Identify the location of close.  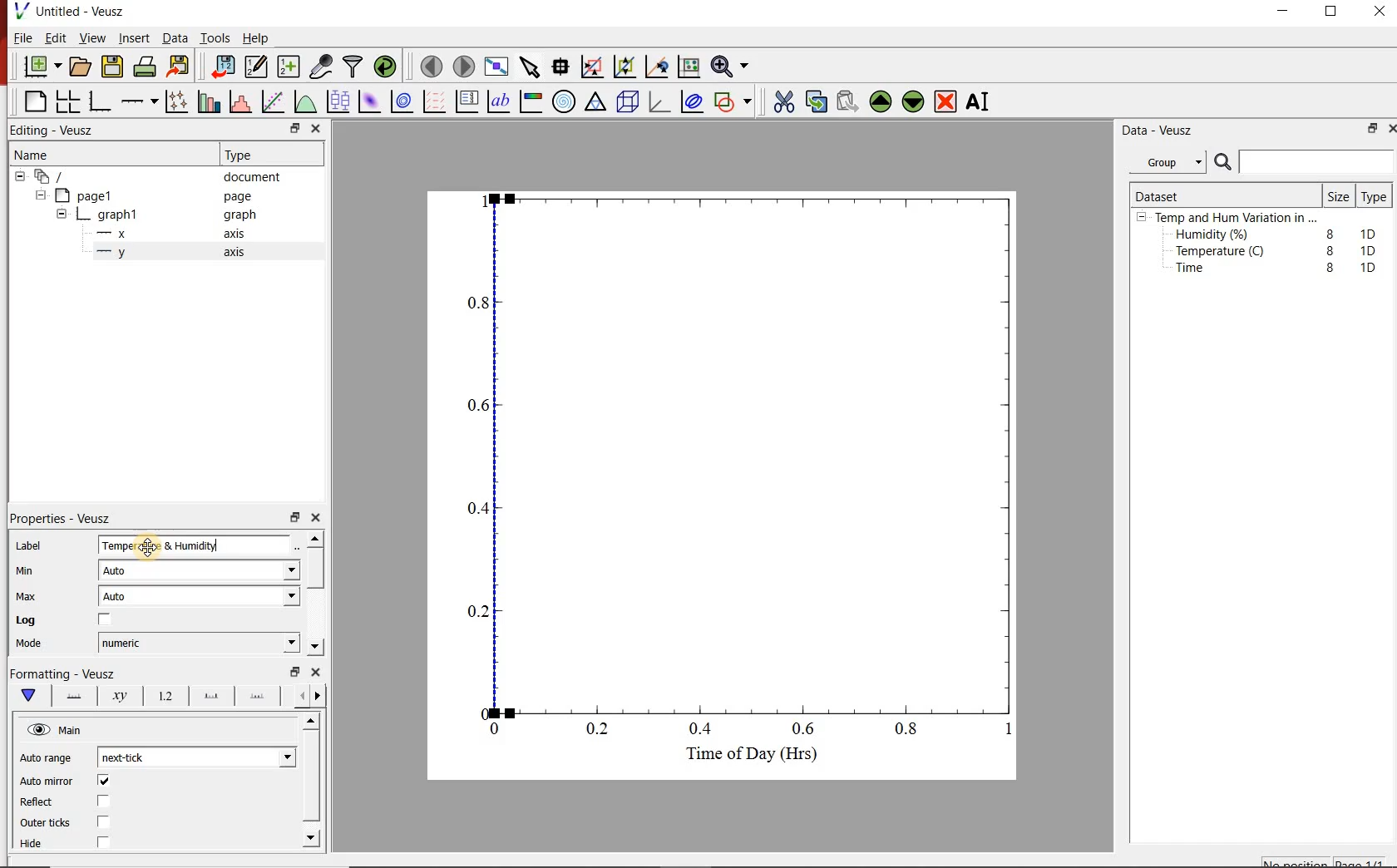
(318, 673).